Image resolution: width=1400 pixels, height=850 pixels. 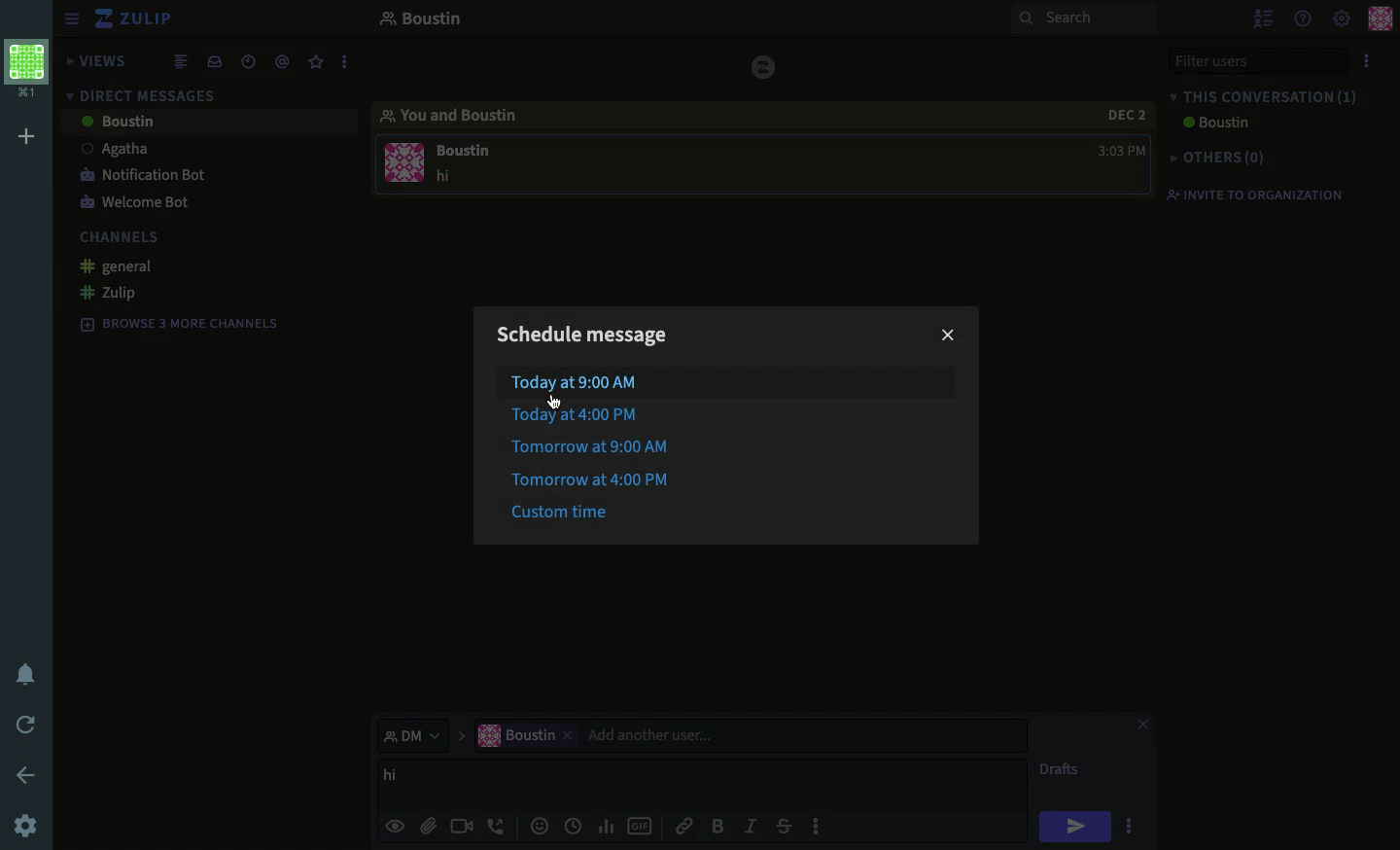 What do you see at coordinates (26, 69) in the screenshot?
I see `workspace` at bounding box center [26, 69].